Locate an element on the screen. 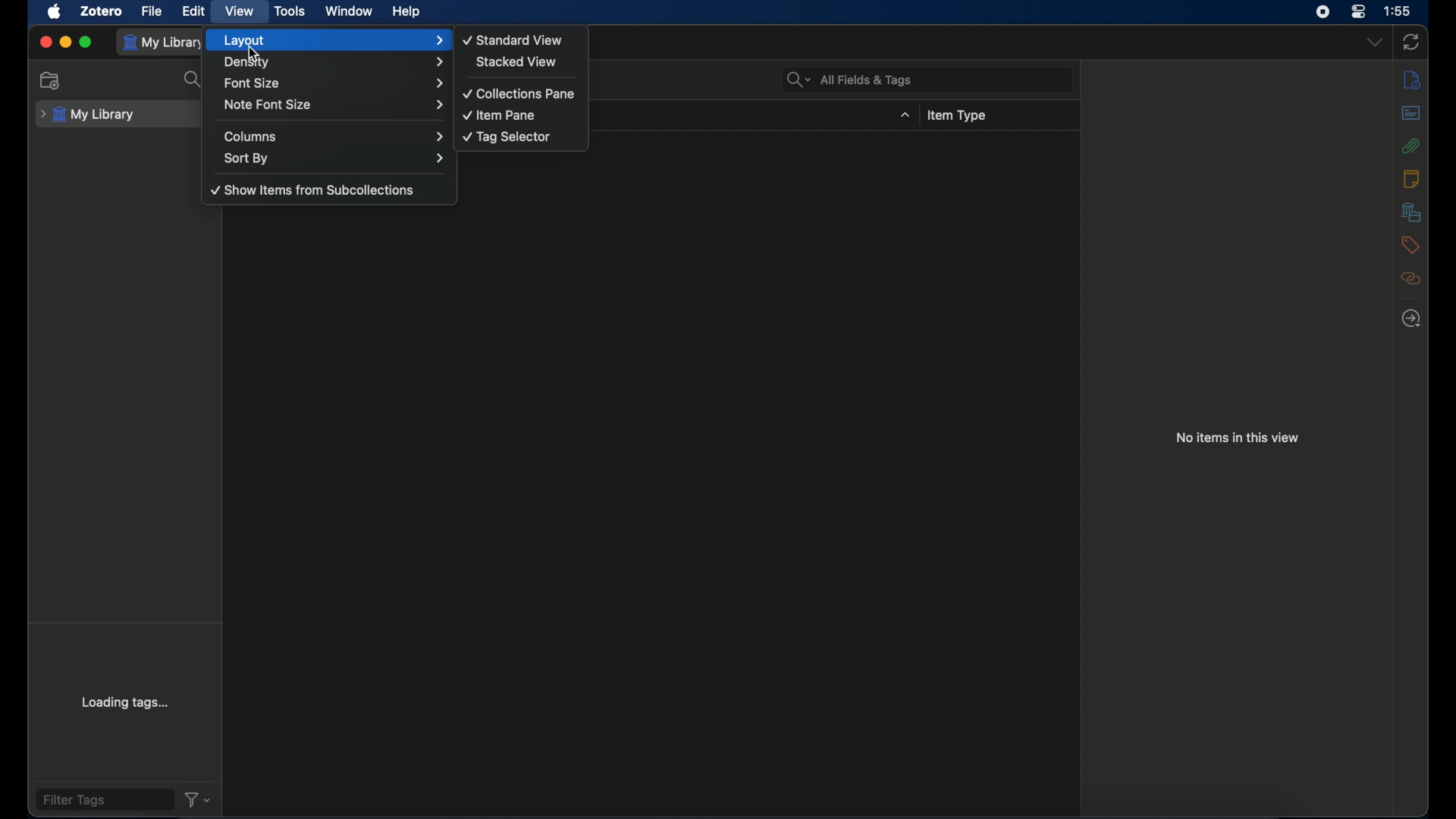  abstracts is located at coordinates (1410, 112).